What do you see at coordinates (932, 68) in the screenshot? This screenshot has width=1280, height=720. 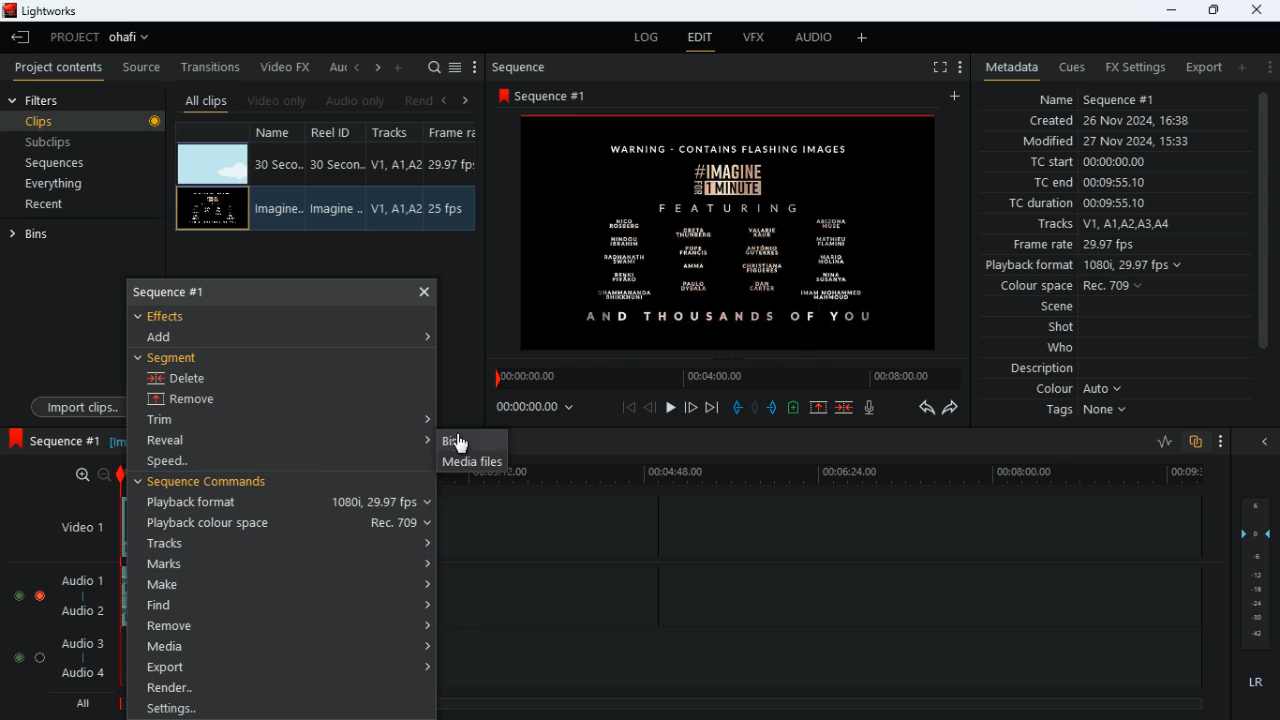 I see `full screen` at bounding box center [932, 68].